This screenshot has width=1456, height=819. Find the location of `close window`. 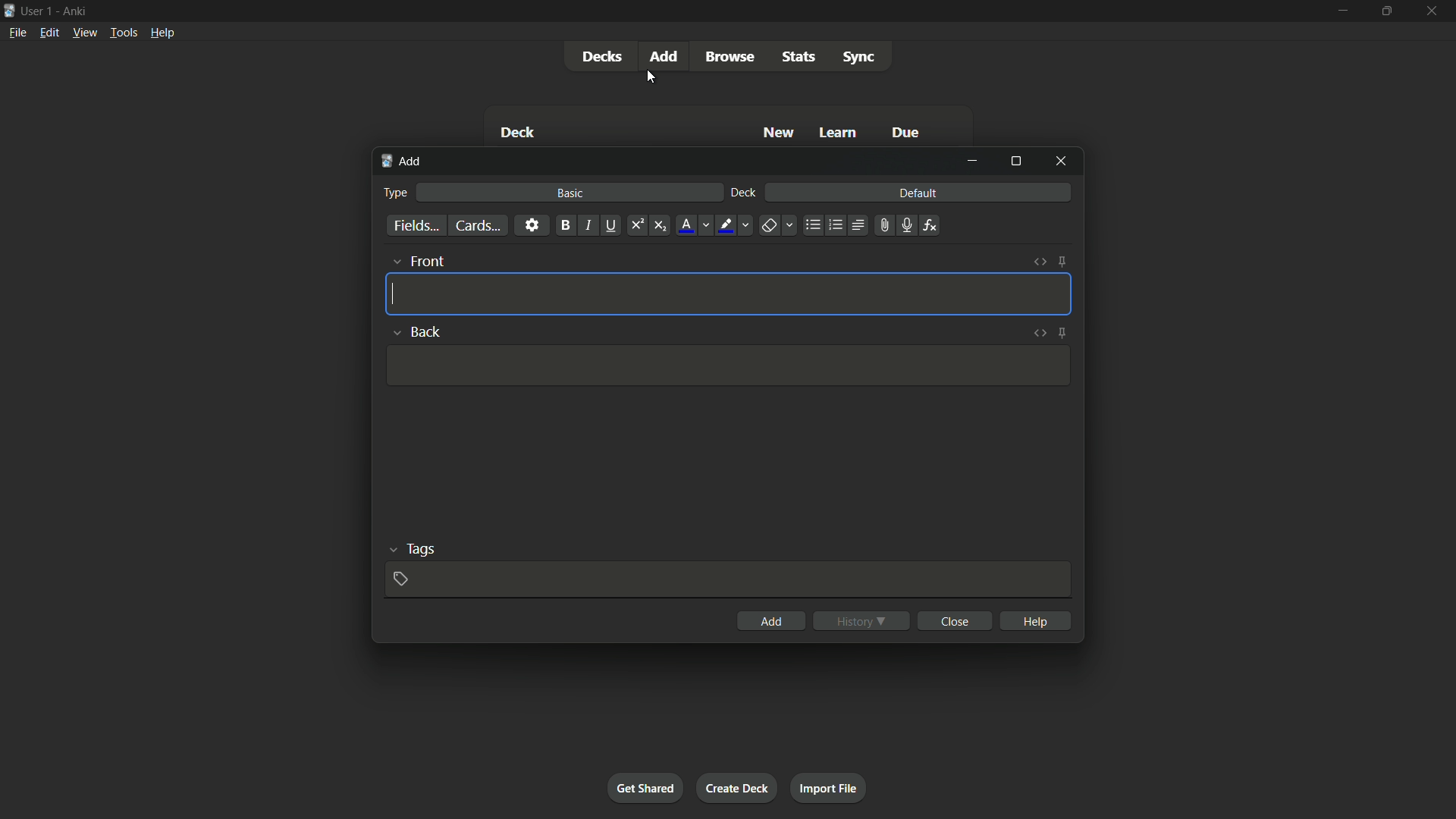

close window is located at coordinates (1062, 160).